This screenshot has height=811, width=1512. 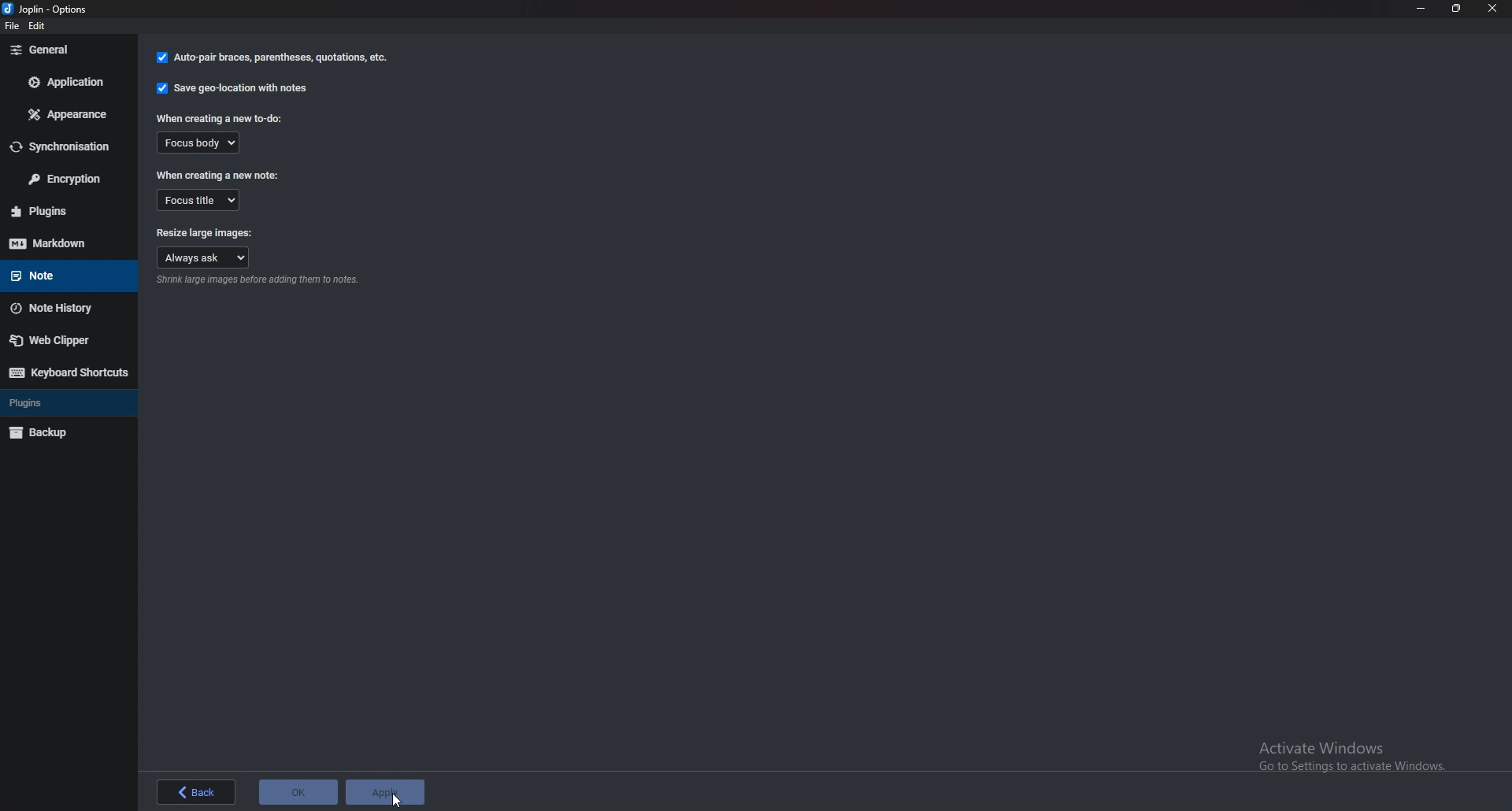 I want to click on ok, so click(x=300, y=794).